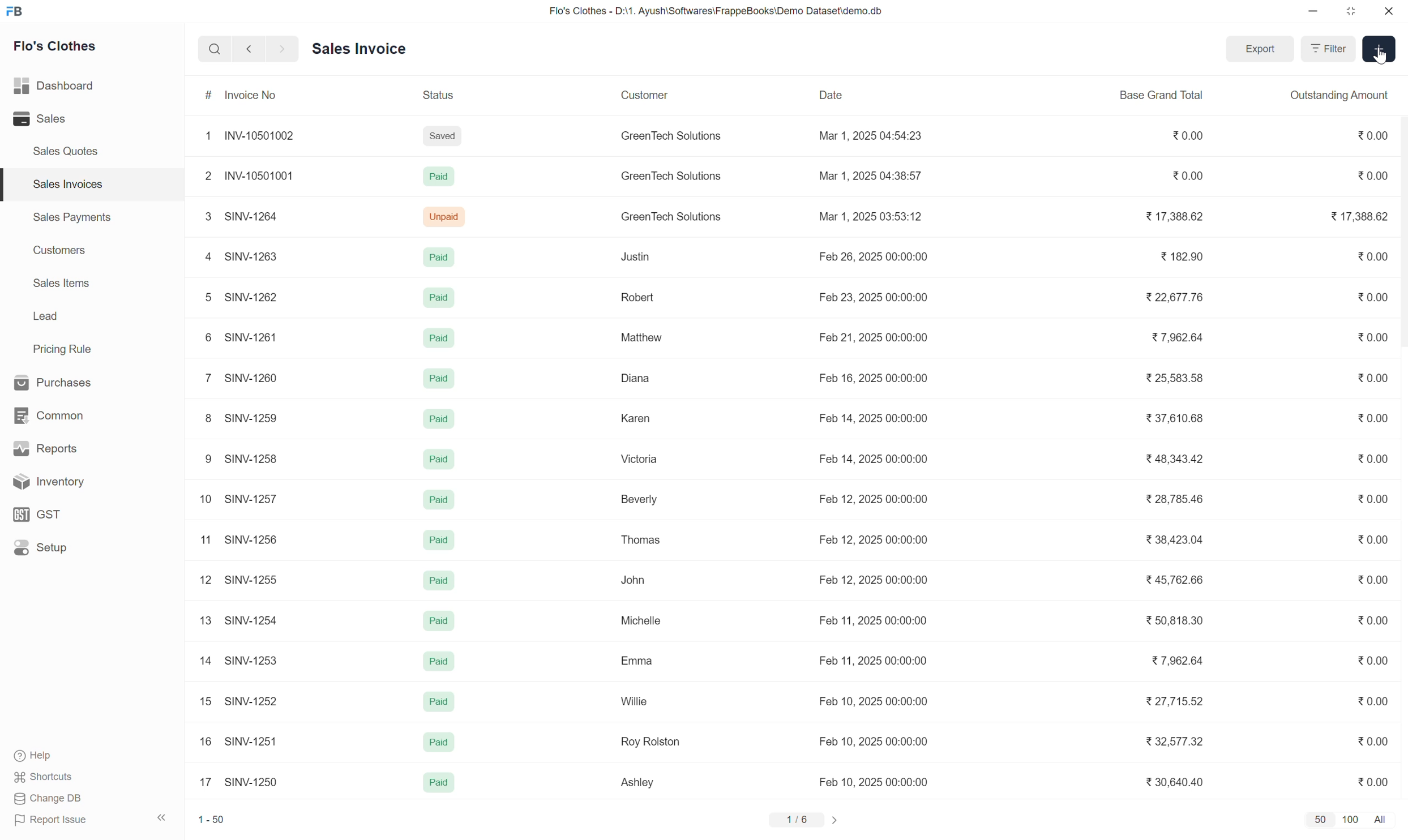 This screenshot has width=1408, height=840. What do you see at coordinates (248, 52) in the screenshot?
I see `go back ` at bounding box center [248, 52].